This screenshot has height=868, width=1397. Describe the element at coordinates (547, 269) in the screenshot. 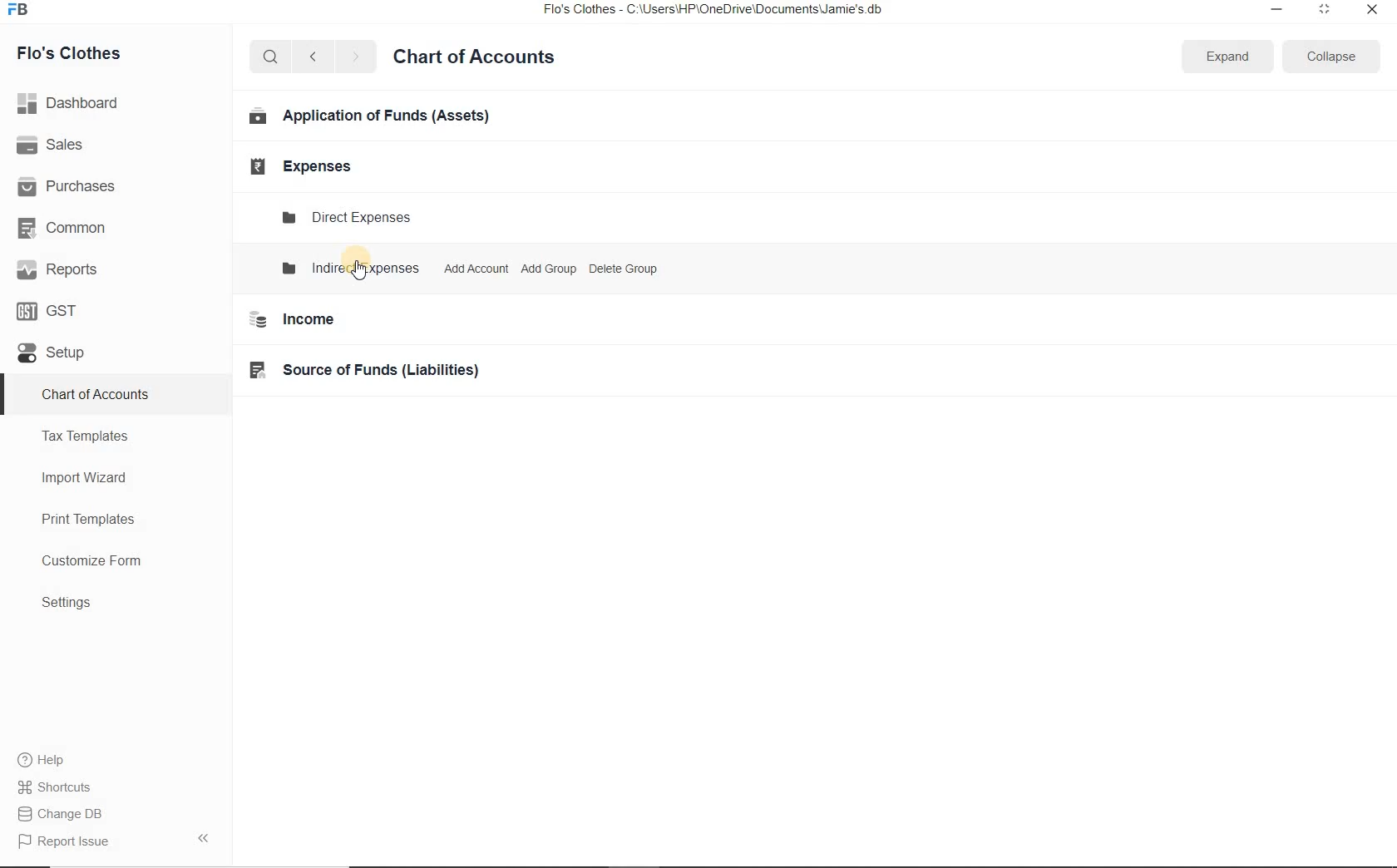

I see `Add Group` at that location.